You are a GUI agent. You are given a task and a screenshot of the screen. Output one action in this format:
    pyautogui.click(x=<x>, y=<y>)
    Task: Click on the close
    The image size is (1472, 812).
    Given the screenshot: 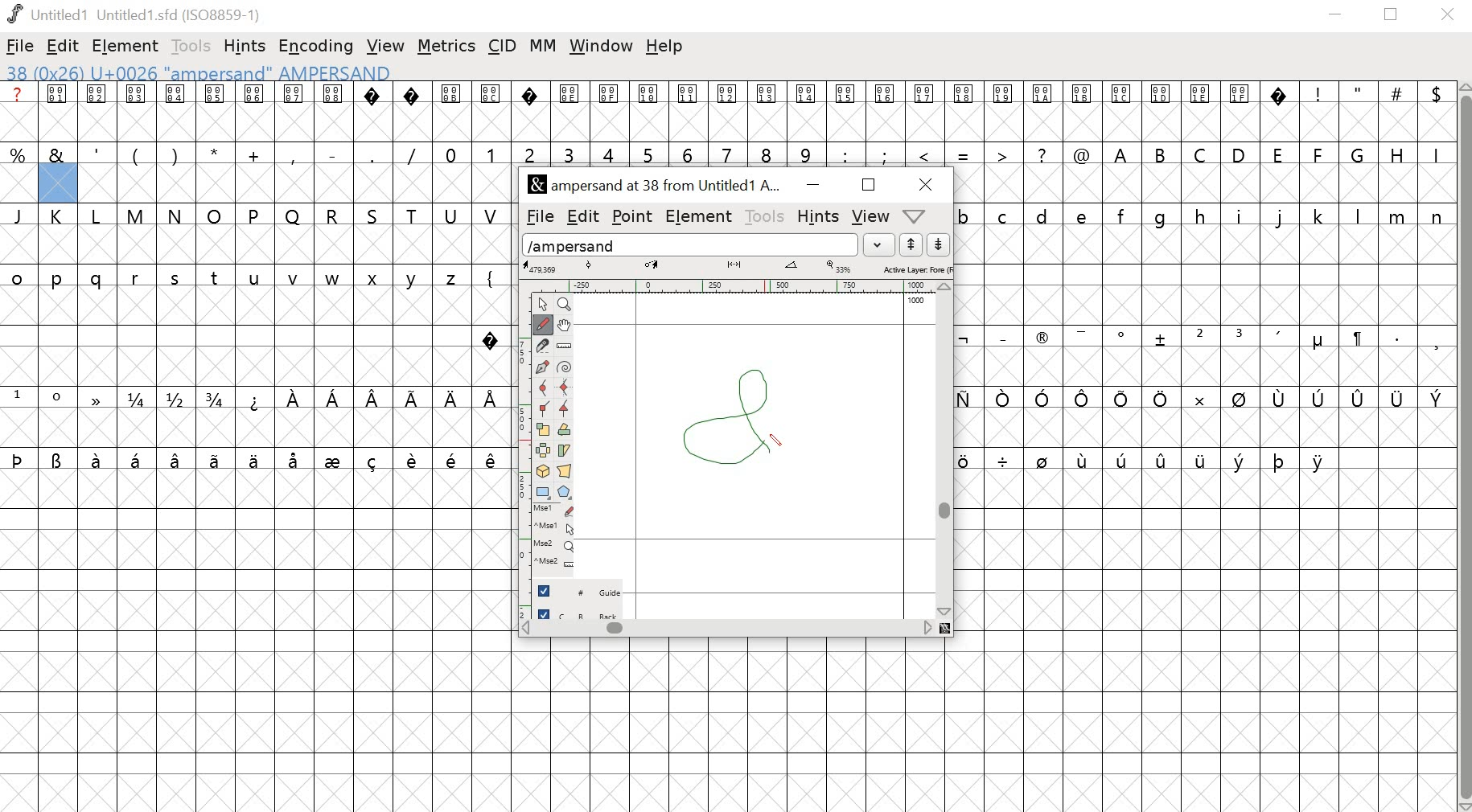 What is the action you would take?
    pyautogui.click(x=922, y=184)
    